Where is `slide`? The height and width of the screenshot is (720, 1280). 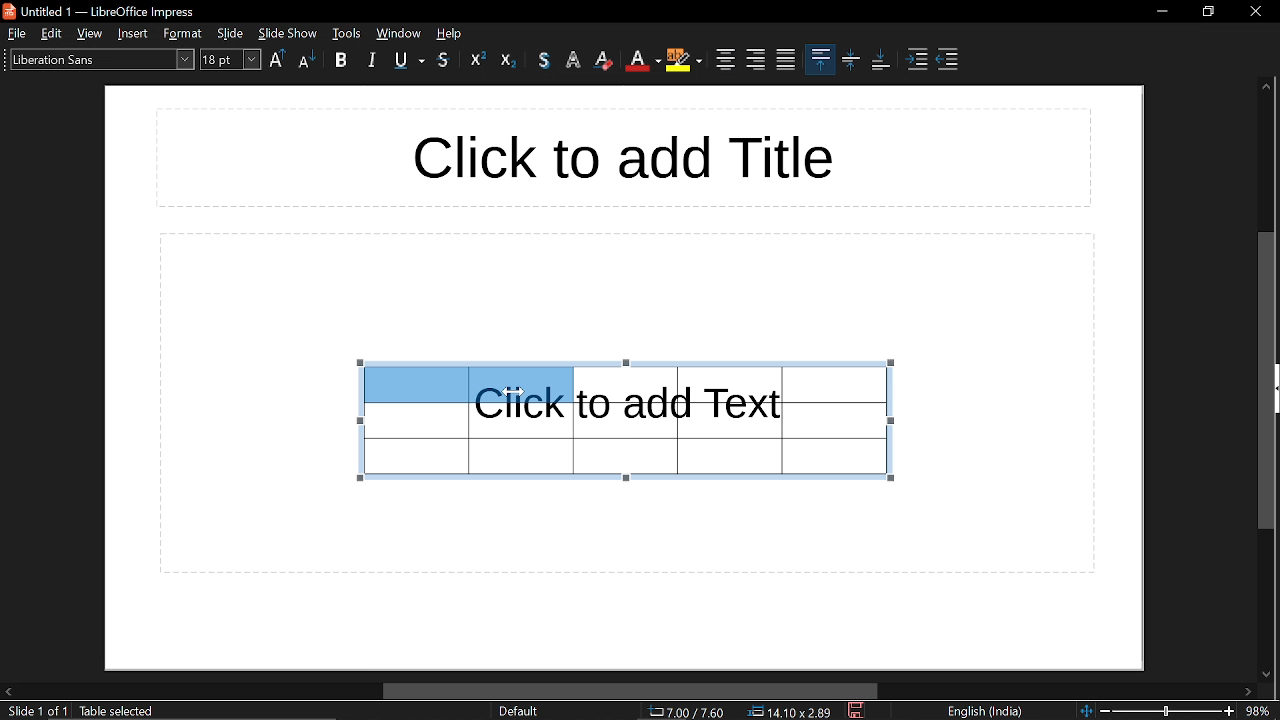 slide is located at coordinates (231, 33).